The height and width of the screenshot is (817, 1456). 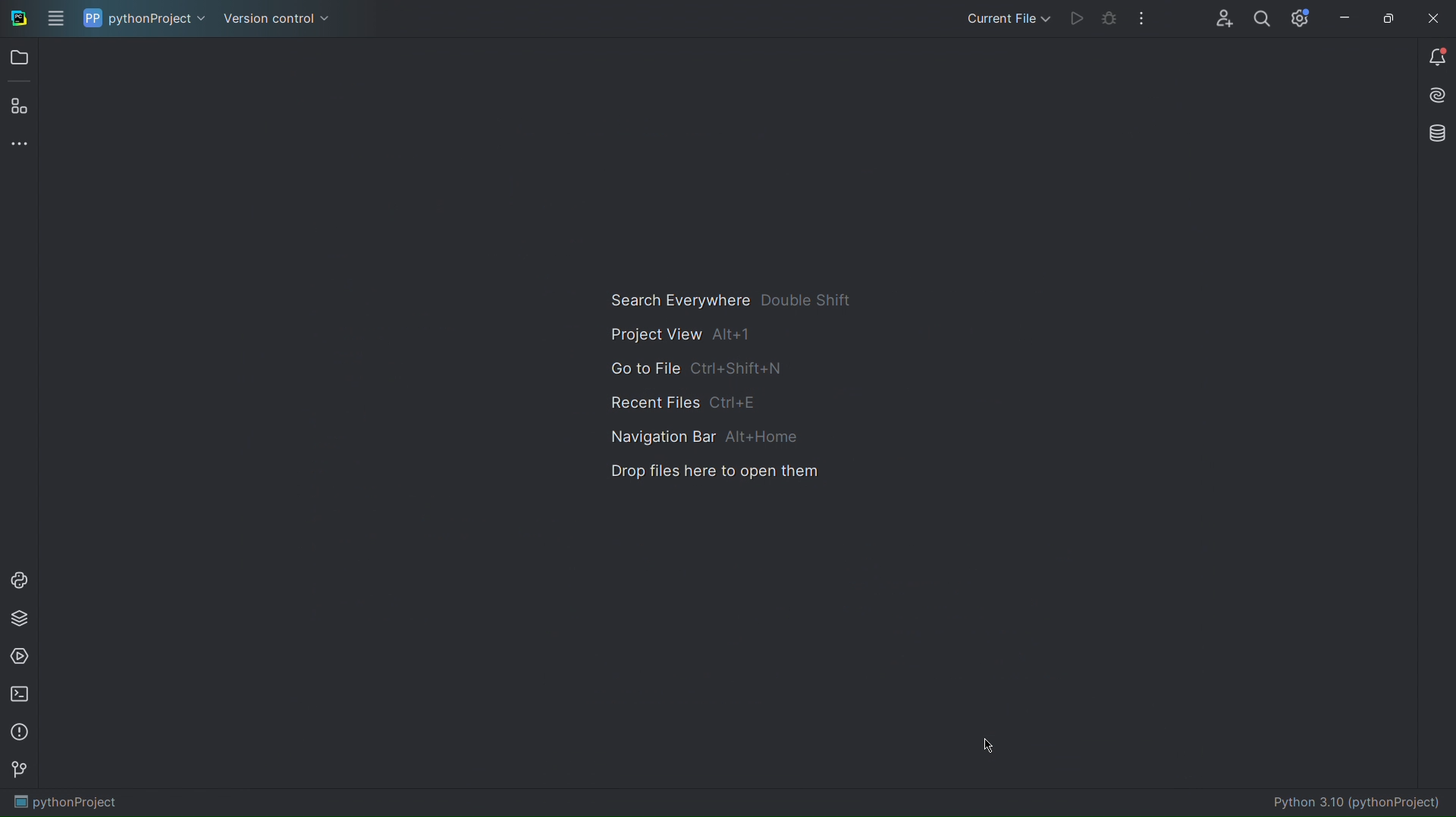 I want to click on More, so click(x=19, y=142).